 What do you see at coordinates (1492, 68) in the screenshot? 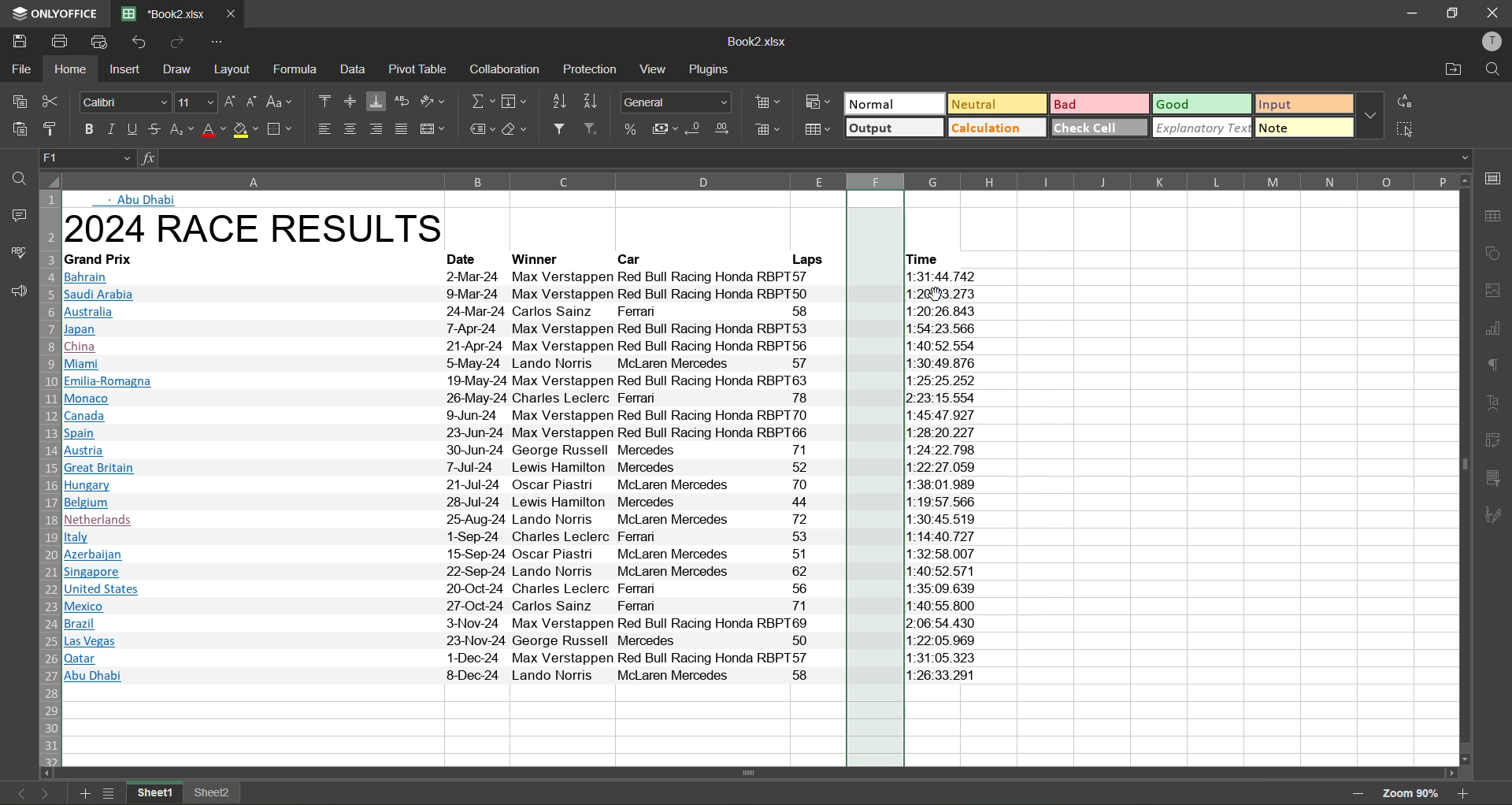
I see `find` at bounding box center [1492, 68].